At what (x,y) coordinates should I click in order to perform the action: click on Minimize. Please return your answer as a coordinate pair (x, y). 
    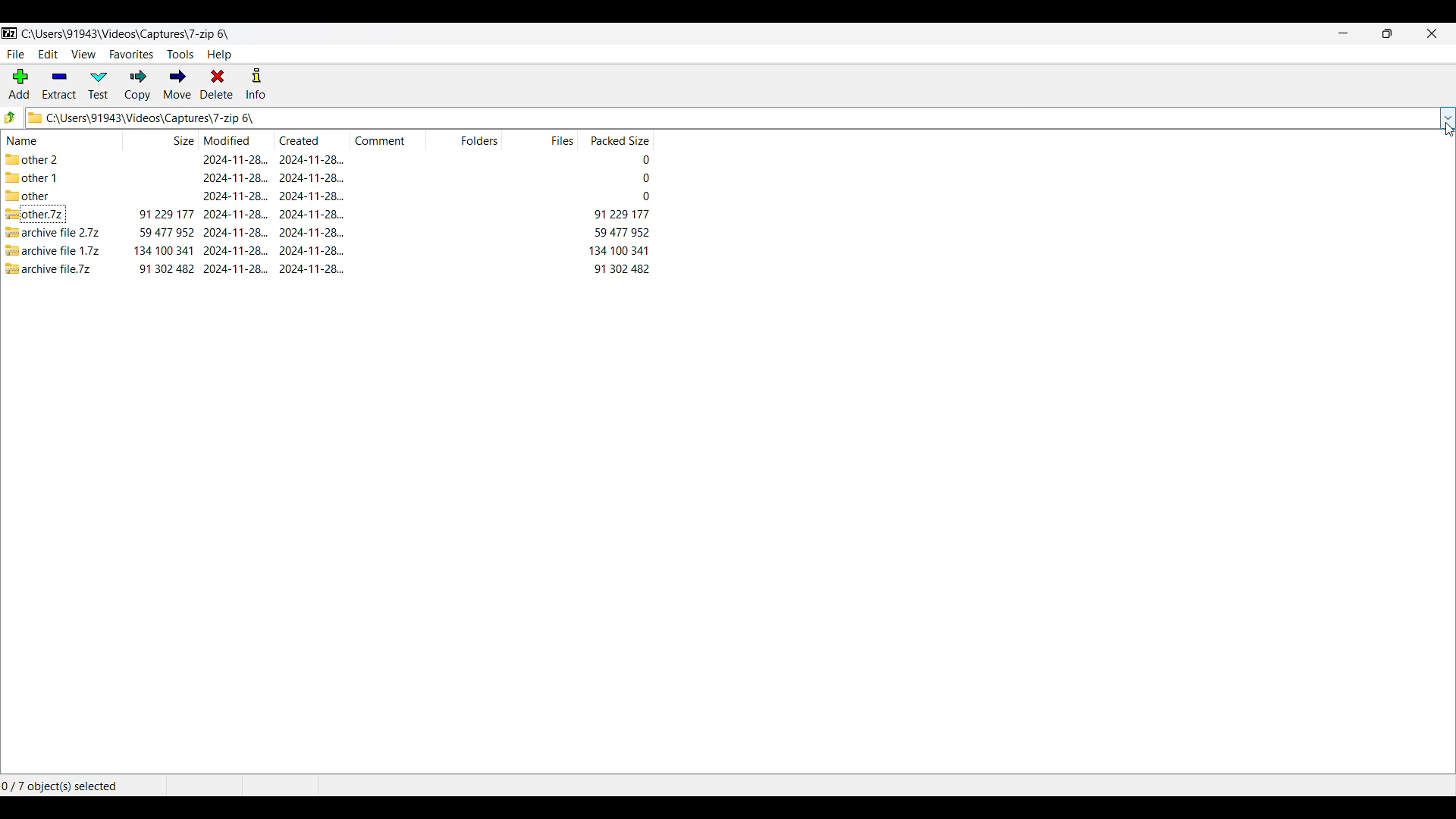
    Looking at the image, I should click on (1344, 33).